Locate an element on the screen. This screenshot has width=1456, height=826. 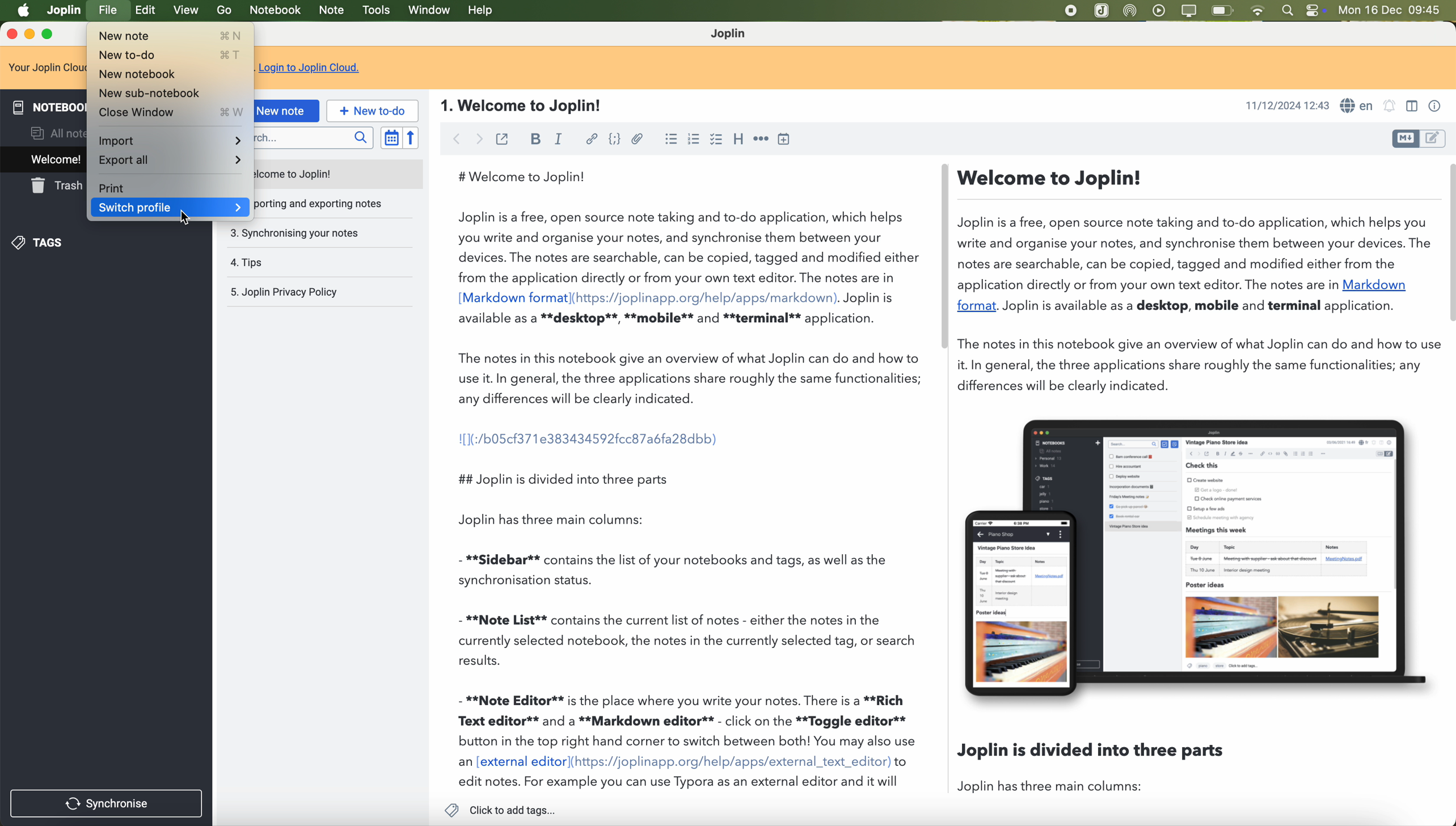
Joplin is located at coordinates (65, 10).